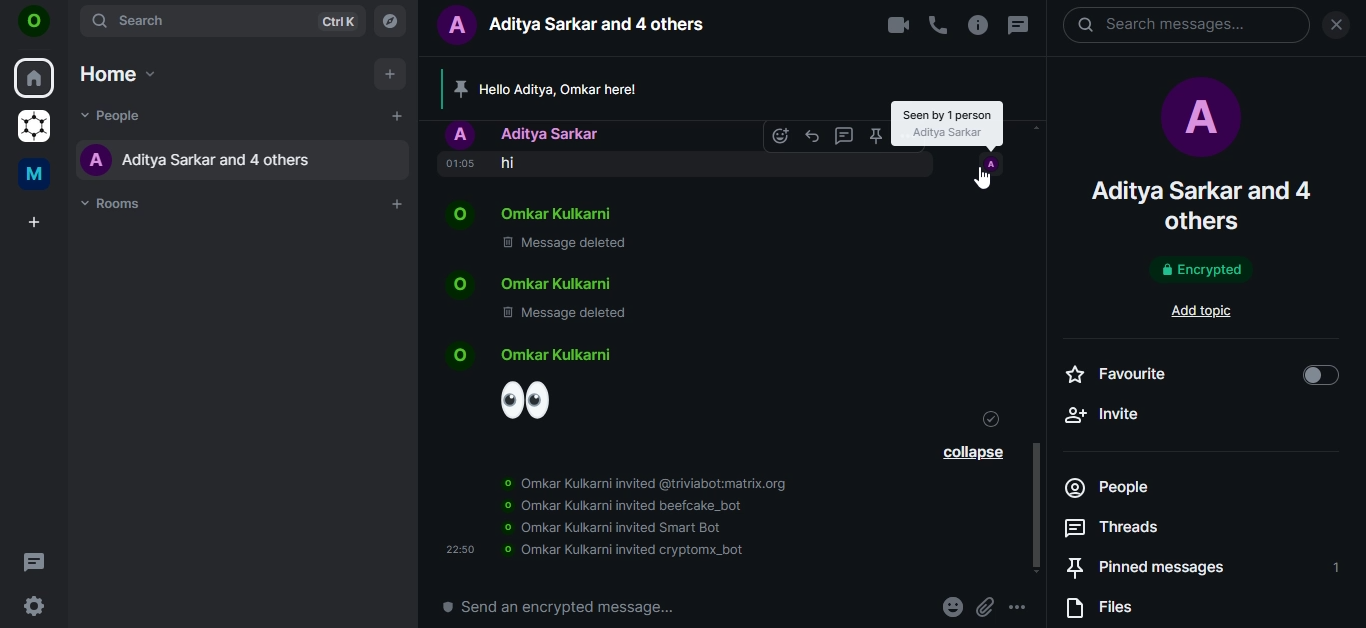  What do you see at coordinates (117, 70) in the screenshot?
I see `home` at bounding box center [117, 70].